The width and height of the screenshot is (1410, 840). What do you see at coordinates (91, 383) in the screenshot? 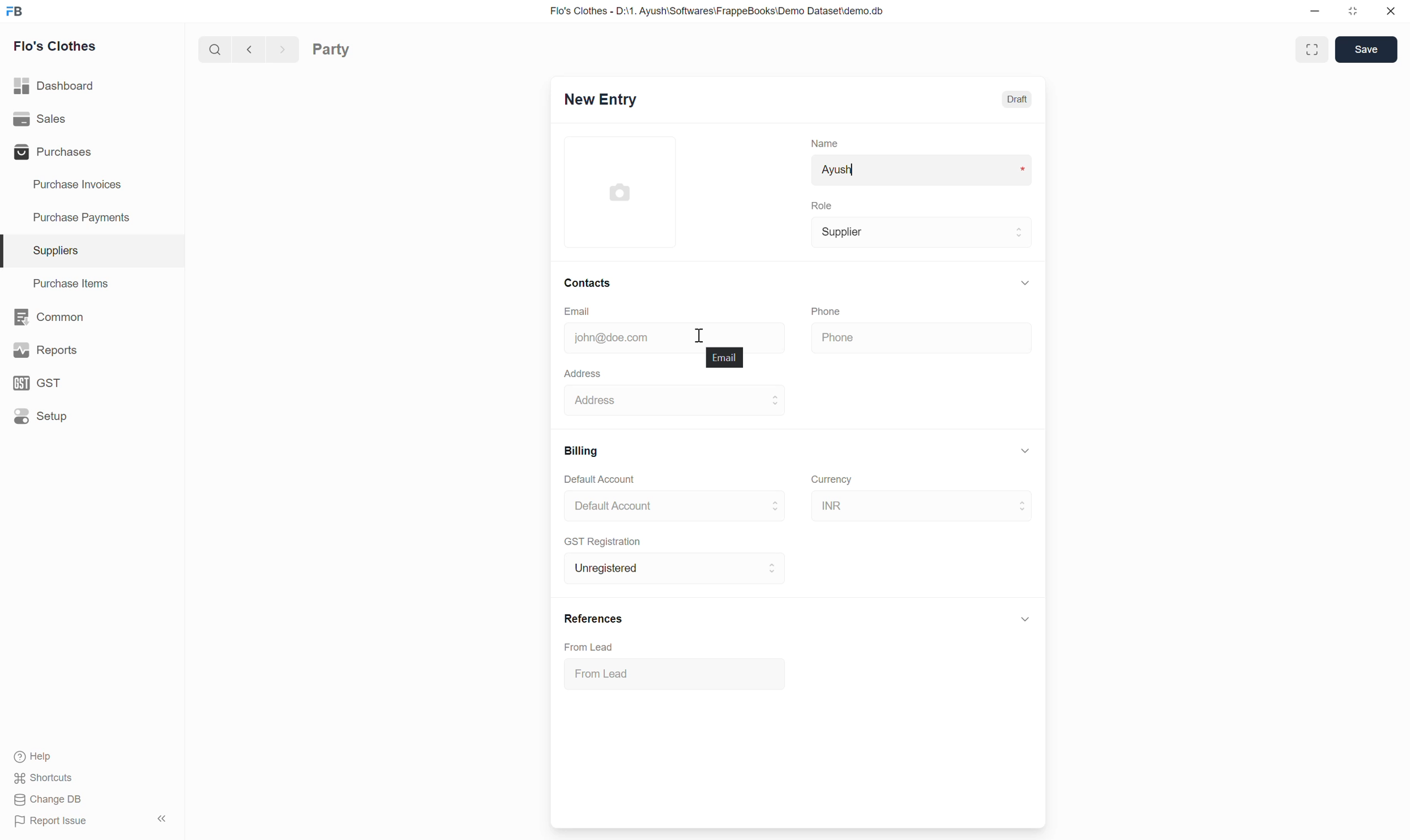
I see `GST` at bounding box center [91, 383].